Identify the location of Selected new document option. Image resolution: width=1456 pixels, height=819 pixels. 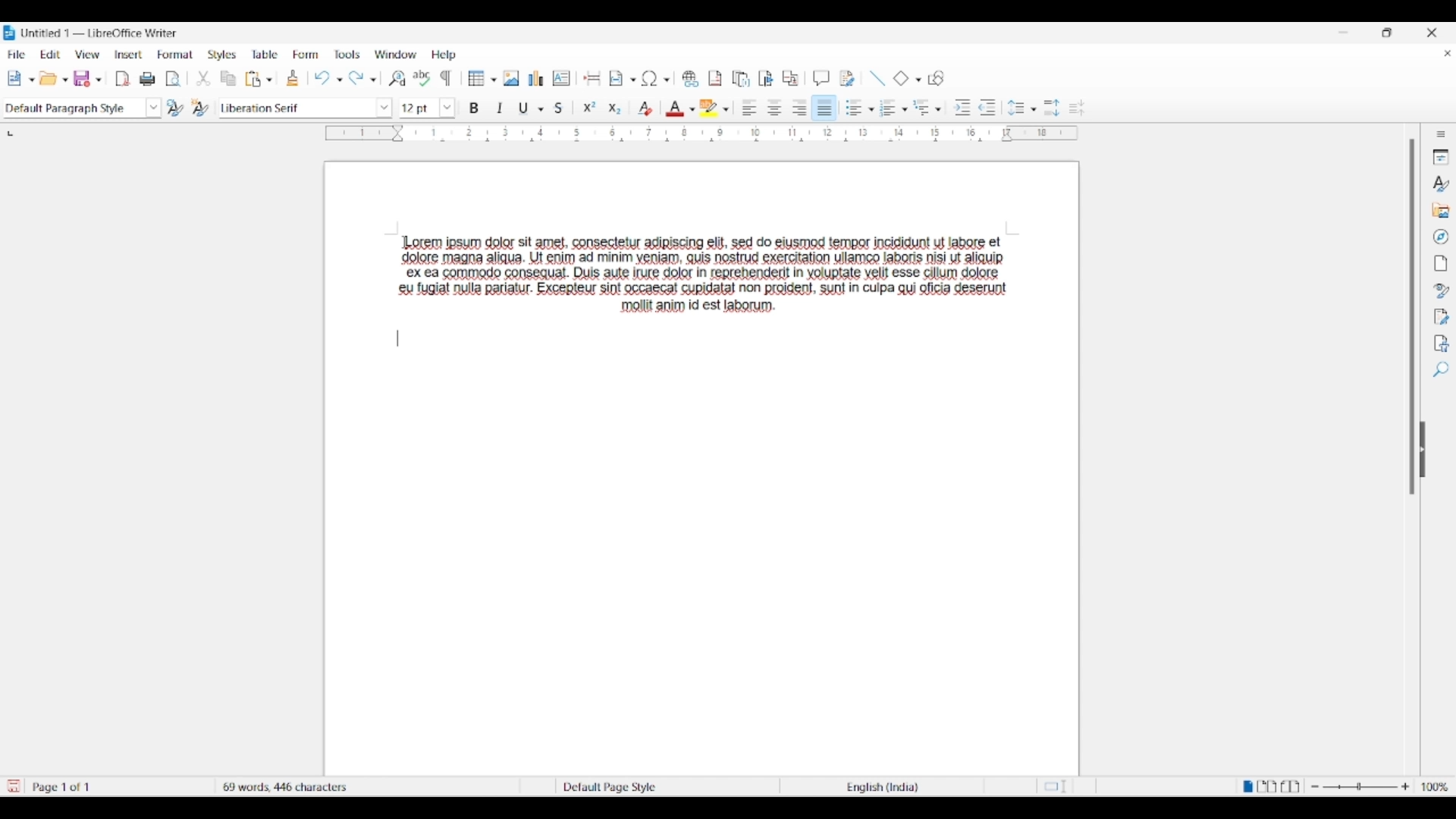
(17, 77).